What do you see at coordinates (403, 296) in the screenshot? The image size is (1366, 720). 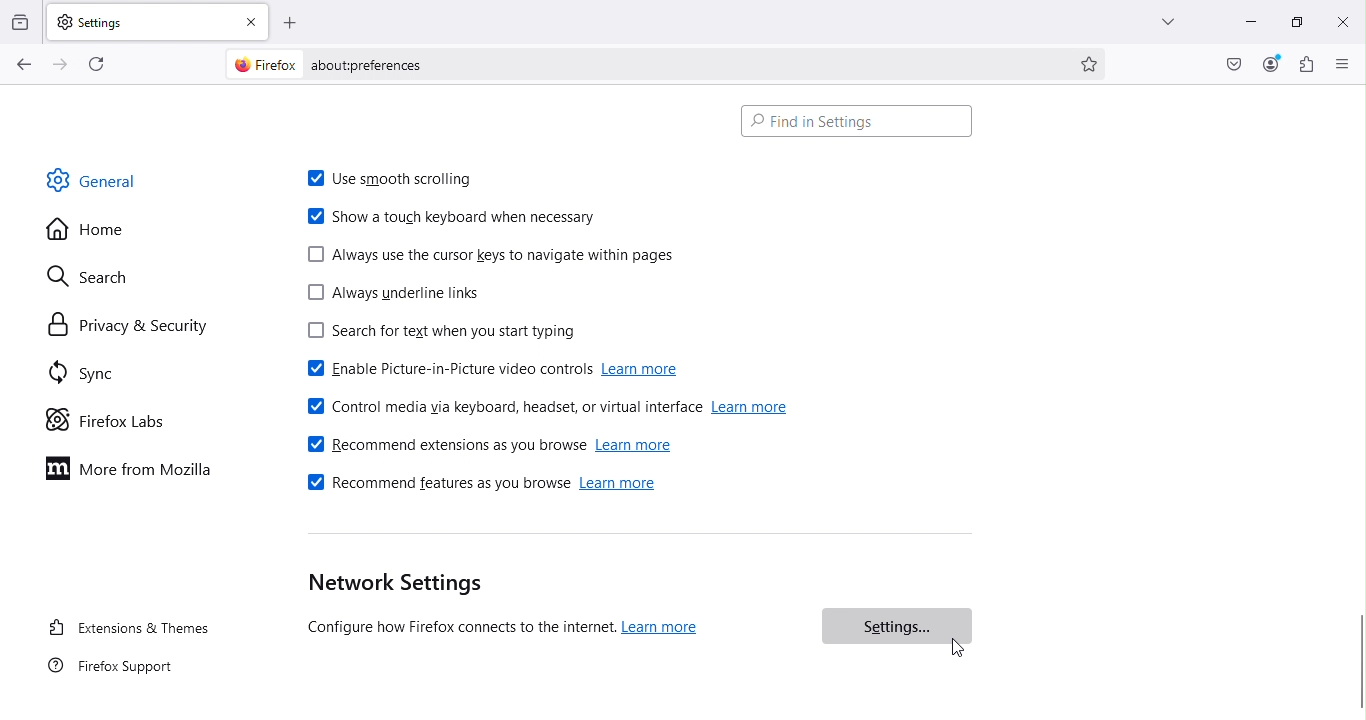 I see `Always underline links` at bounding box center [403, 296].